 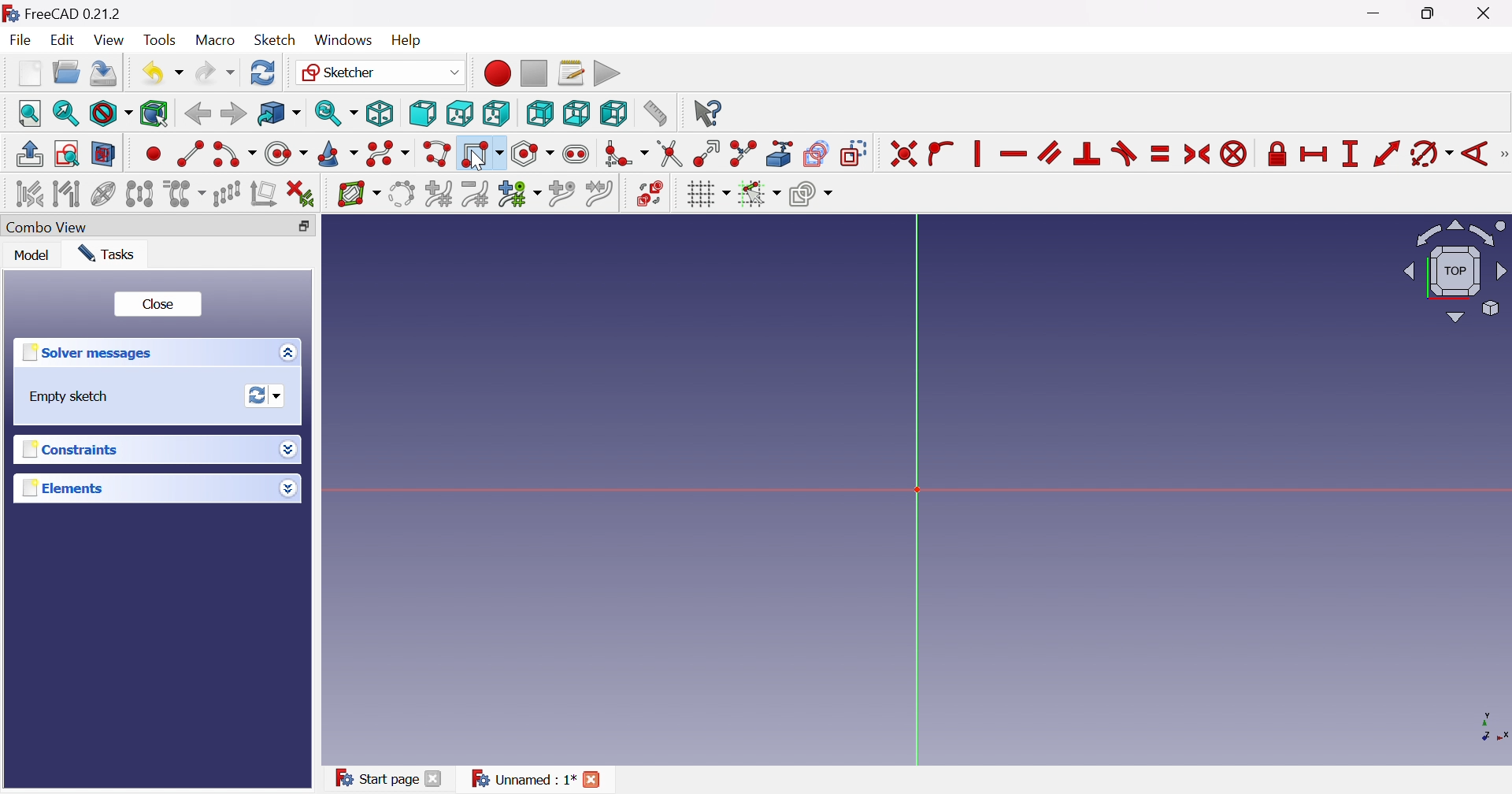 I want to click on Stop macro recording..., so click(x=535, y=72).